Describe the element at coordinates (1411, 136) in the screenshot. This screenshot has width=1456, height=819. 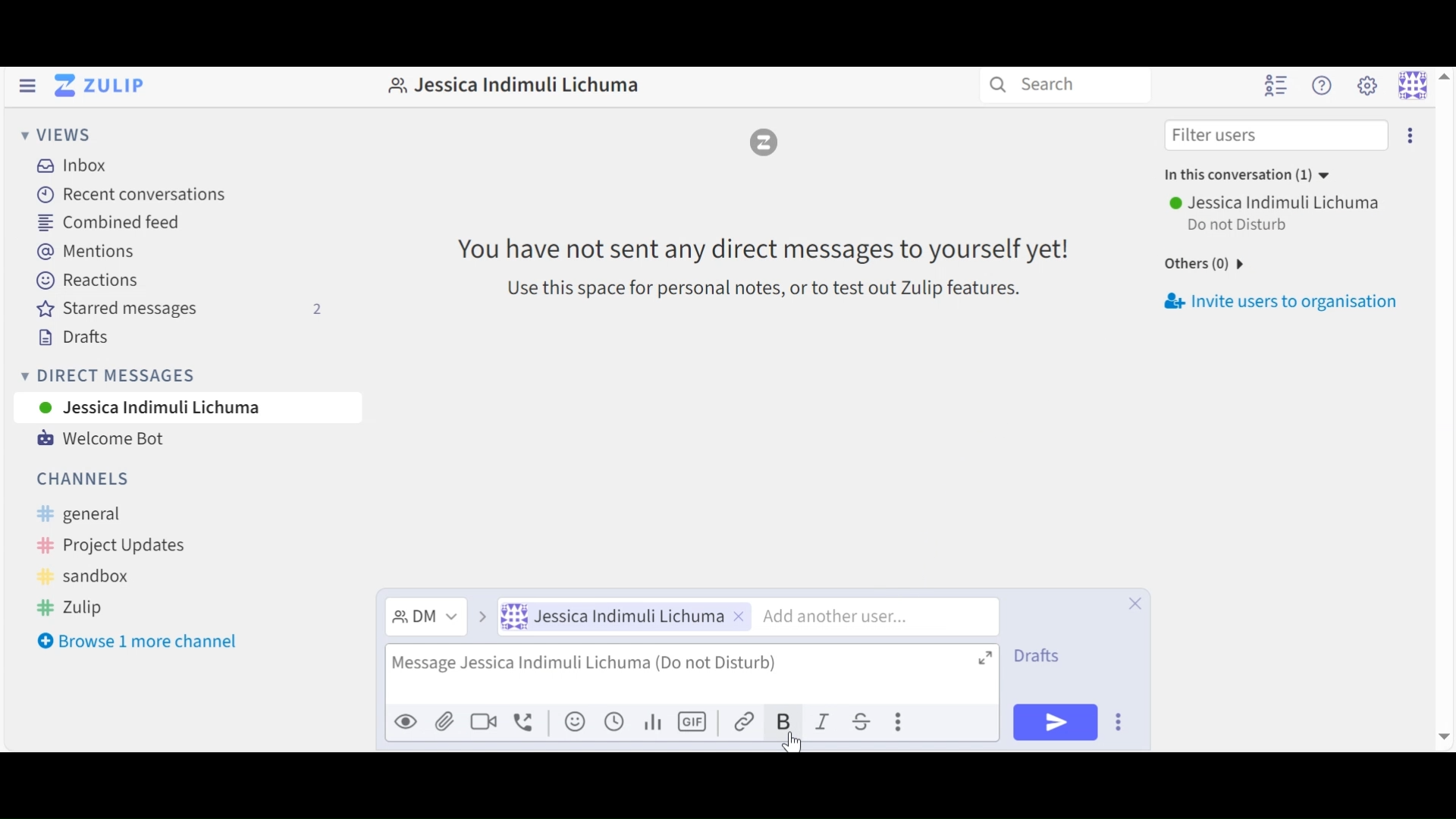
I see `more options` at that location.